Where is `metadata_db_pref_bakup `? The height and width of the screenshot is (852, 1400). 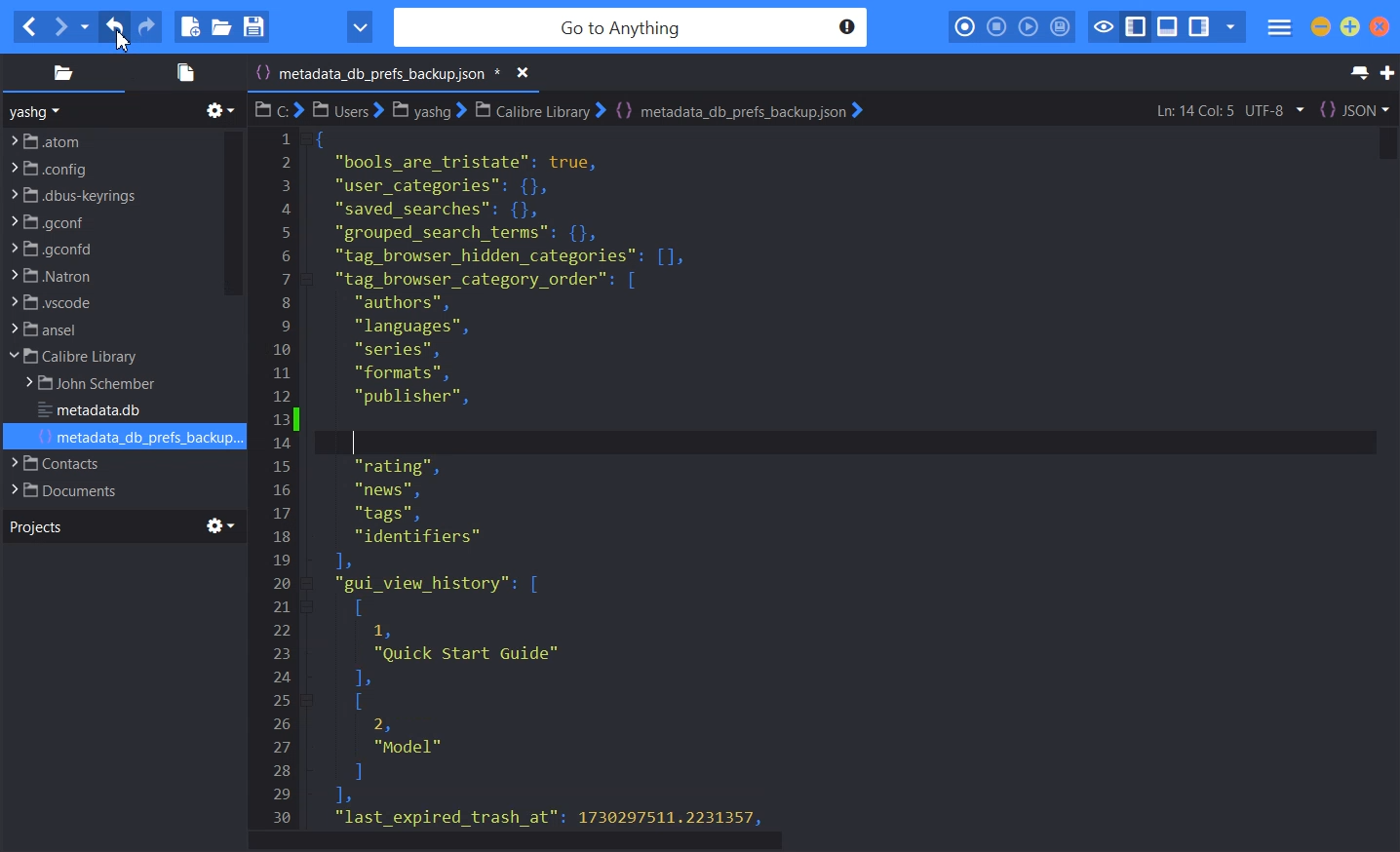
metadata_db_pref_bakup  is located at coordinates (567, 476).